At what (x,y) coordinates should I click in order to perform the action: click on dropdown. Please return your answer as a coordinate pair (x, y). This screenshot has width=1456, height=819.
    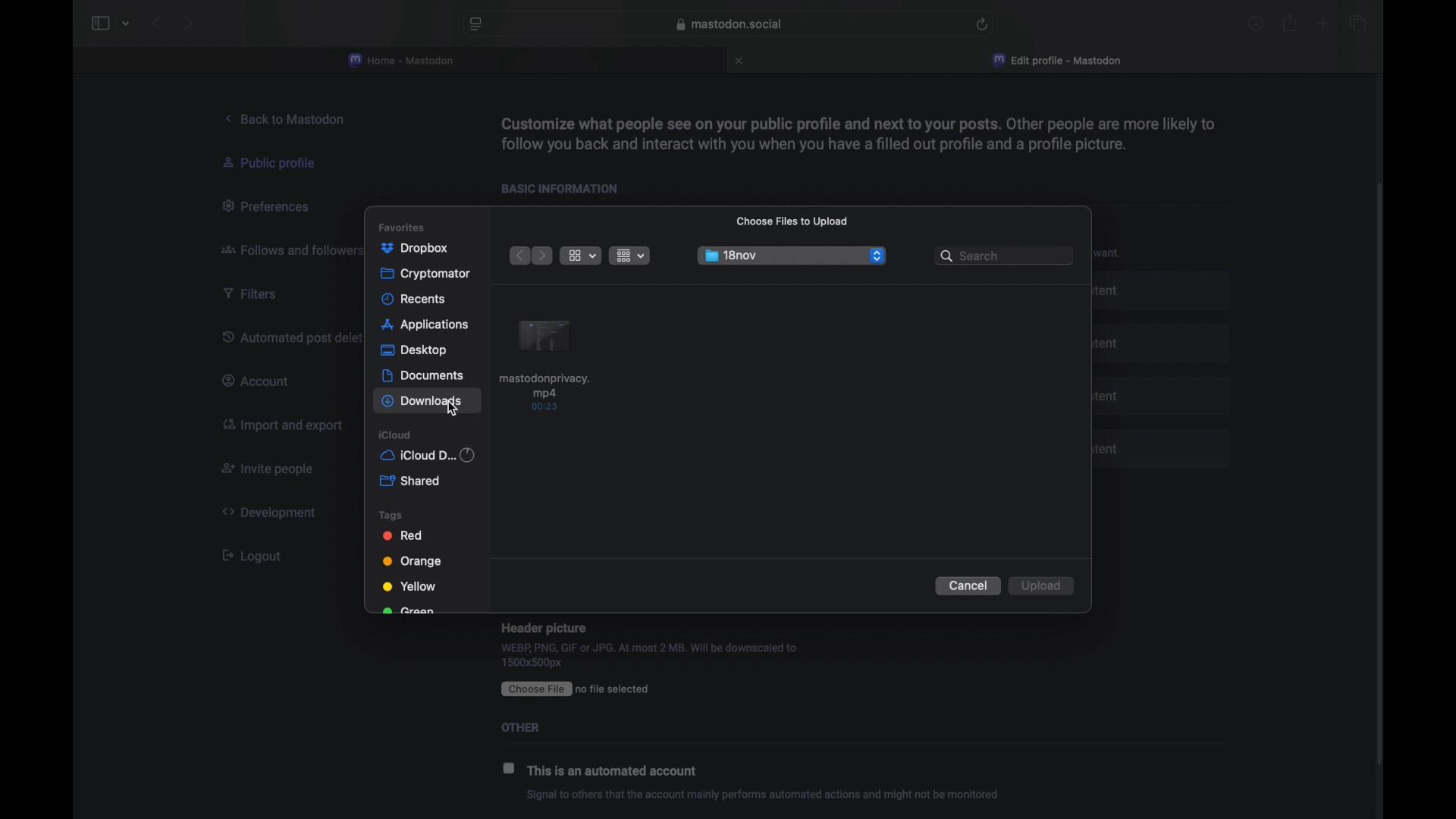
    Looking at the image, I should click on (877, 256).